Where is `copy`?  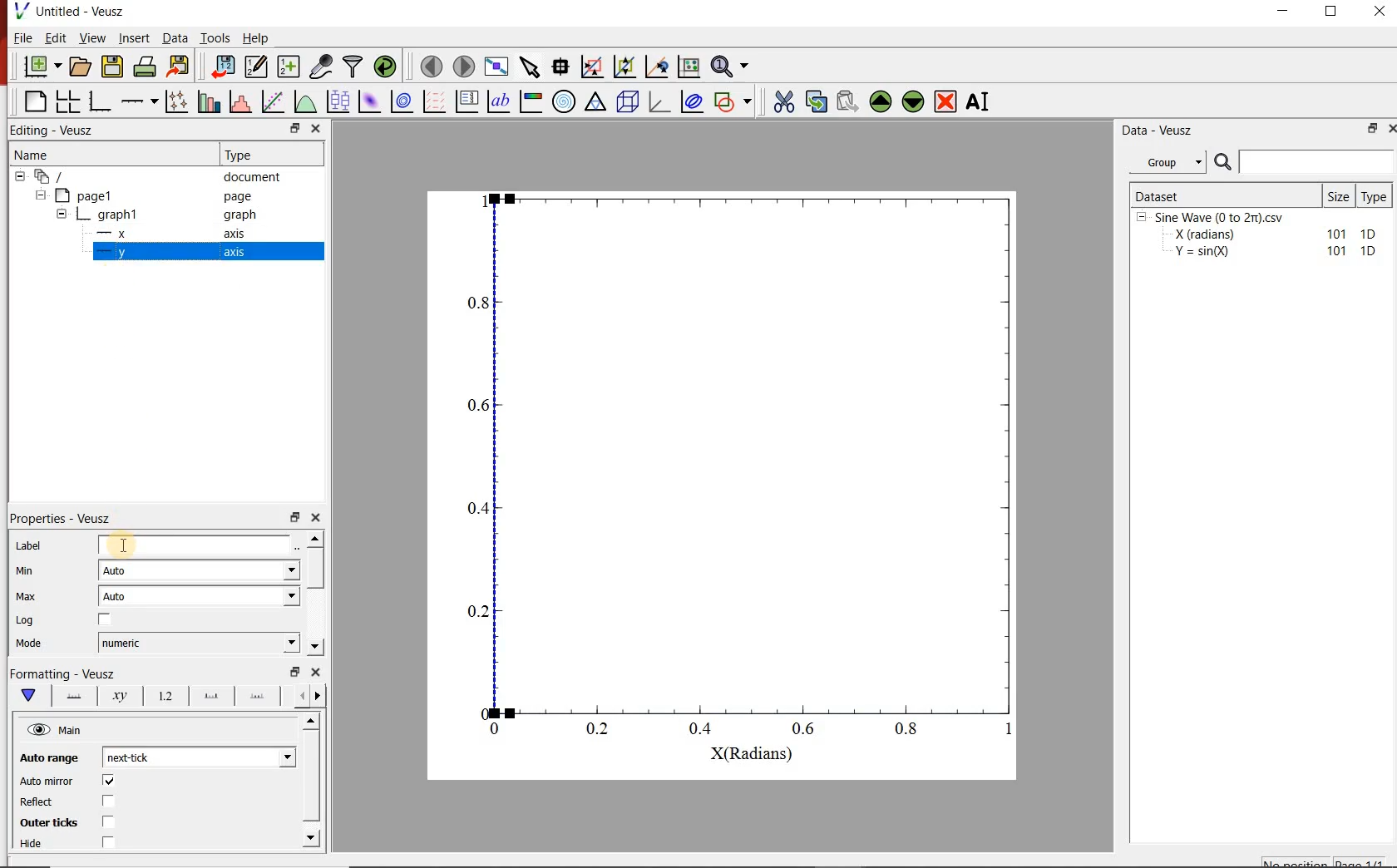 copy is located at coordinates (816, 100).